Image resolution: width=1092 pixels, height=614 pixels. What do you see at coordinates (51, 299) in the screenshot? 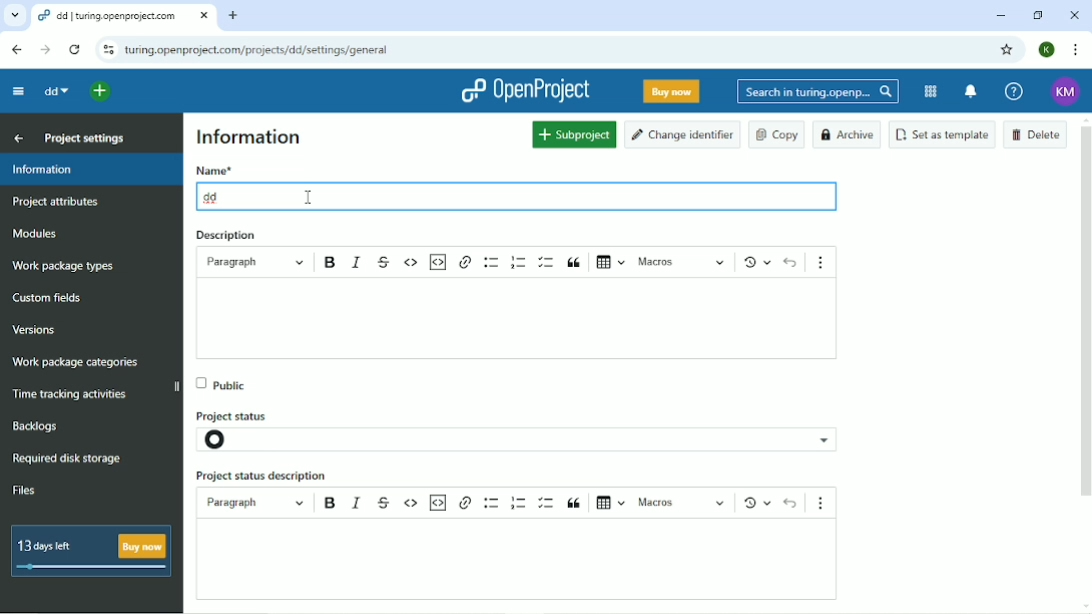
I see `Custom fields` at bounding box center [51, 299].